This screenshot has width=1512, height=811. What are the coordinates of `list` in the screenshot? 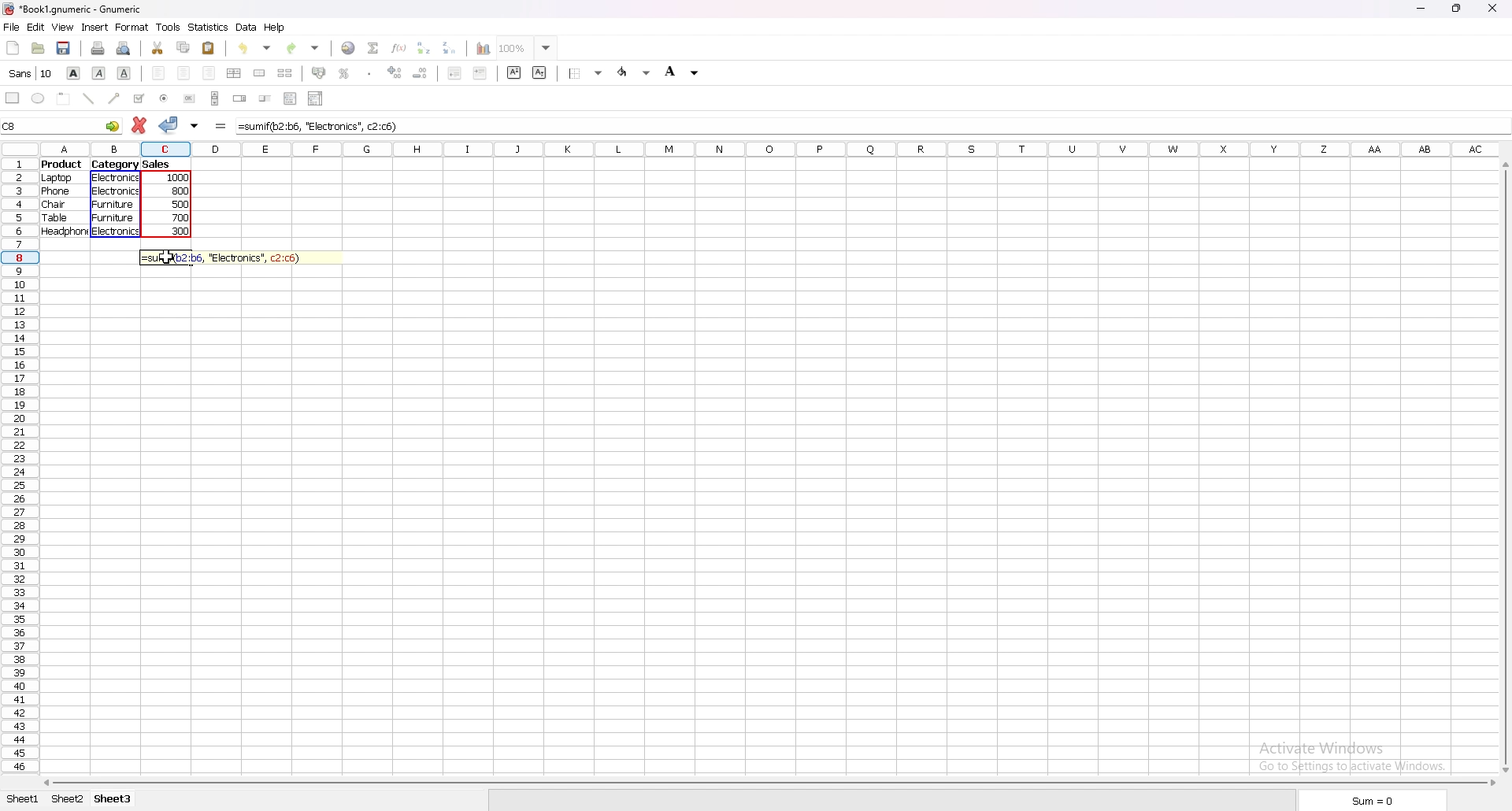 It's located at (290, 98).